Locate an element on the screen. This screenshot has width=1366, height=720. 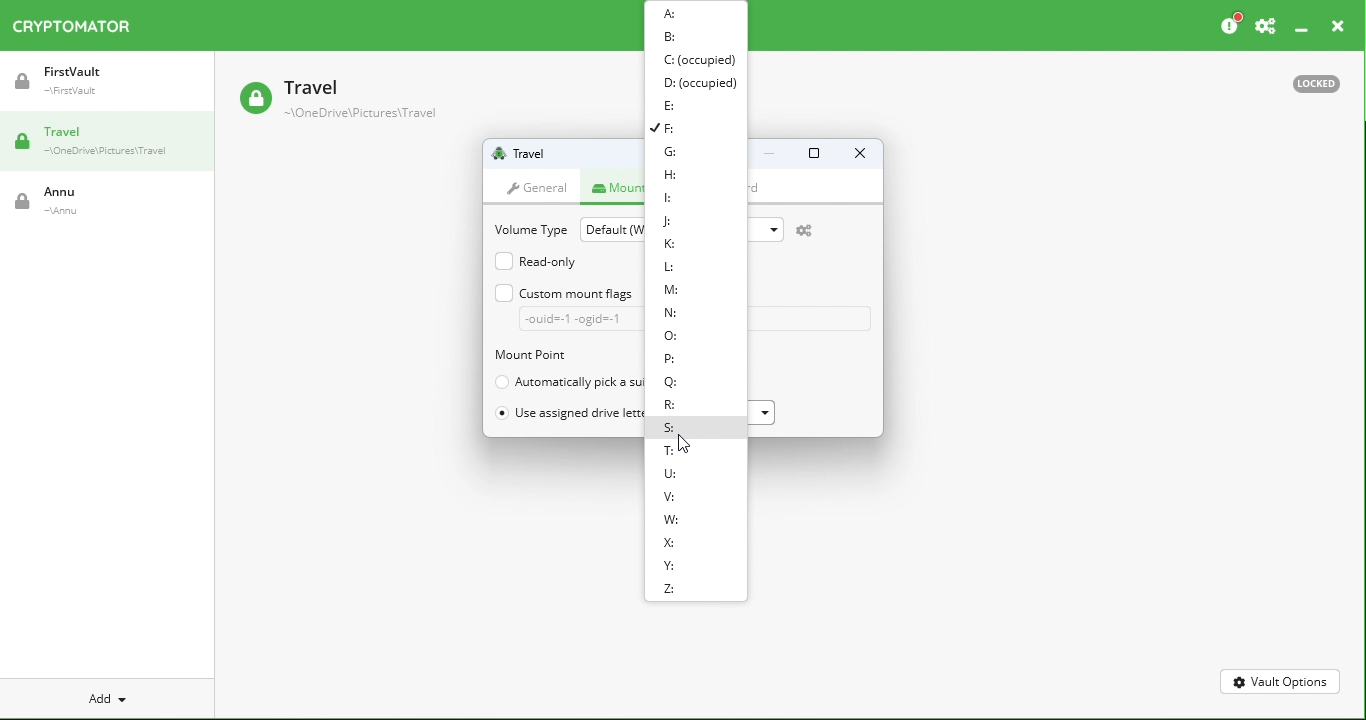
P: is located at coordinates (668, 357).